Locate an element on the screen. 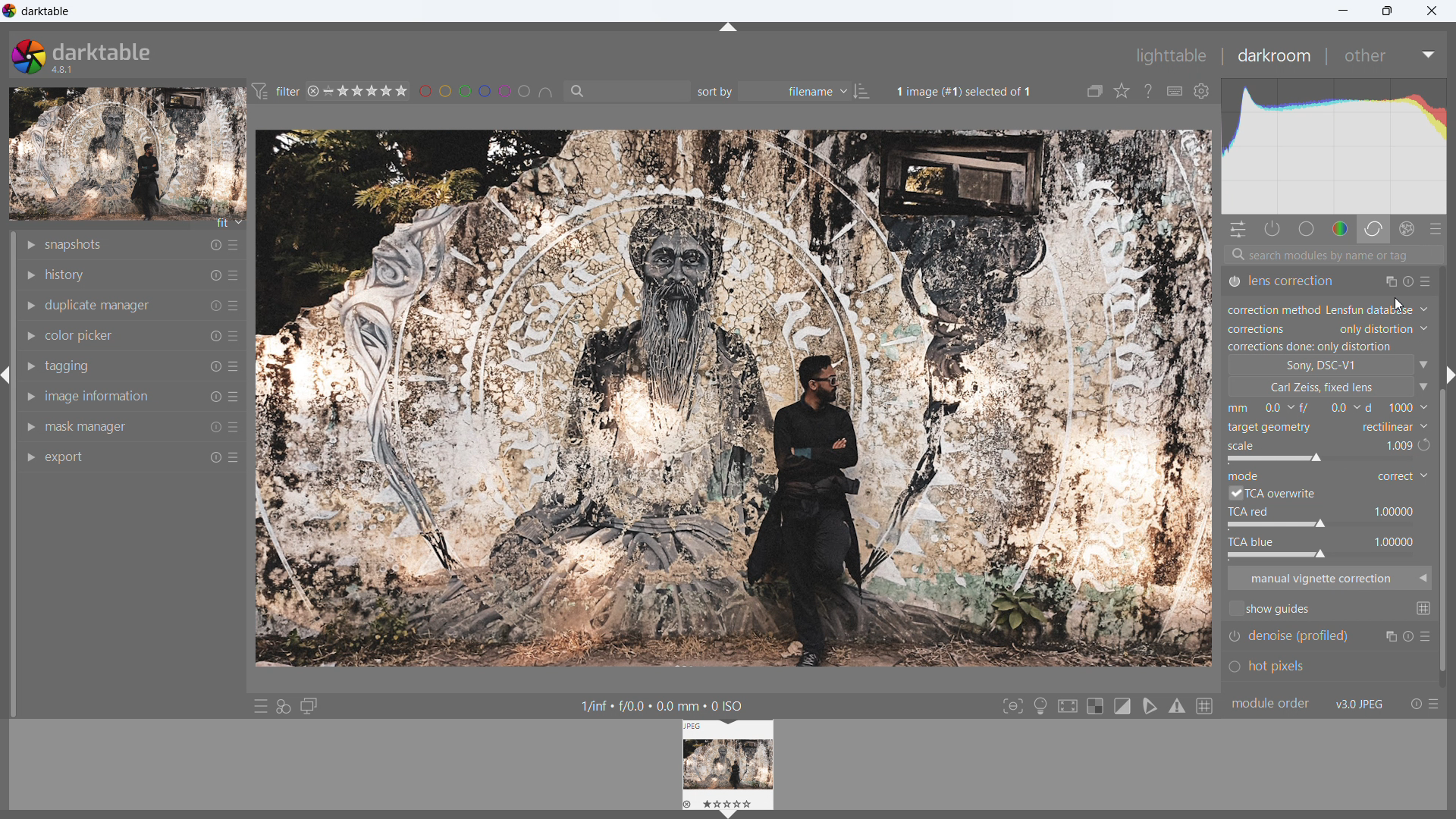  show module is located at coordinates (31, 428).